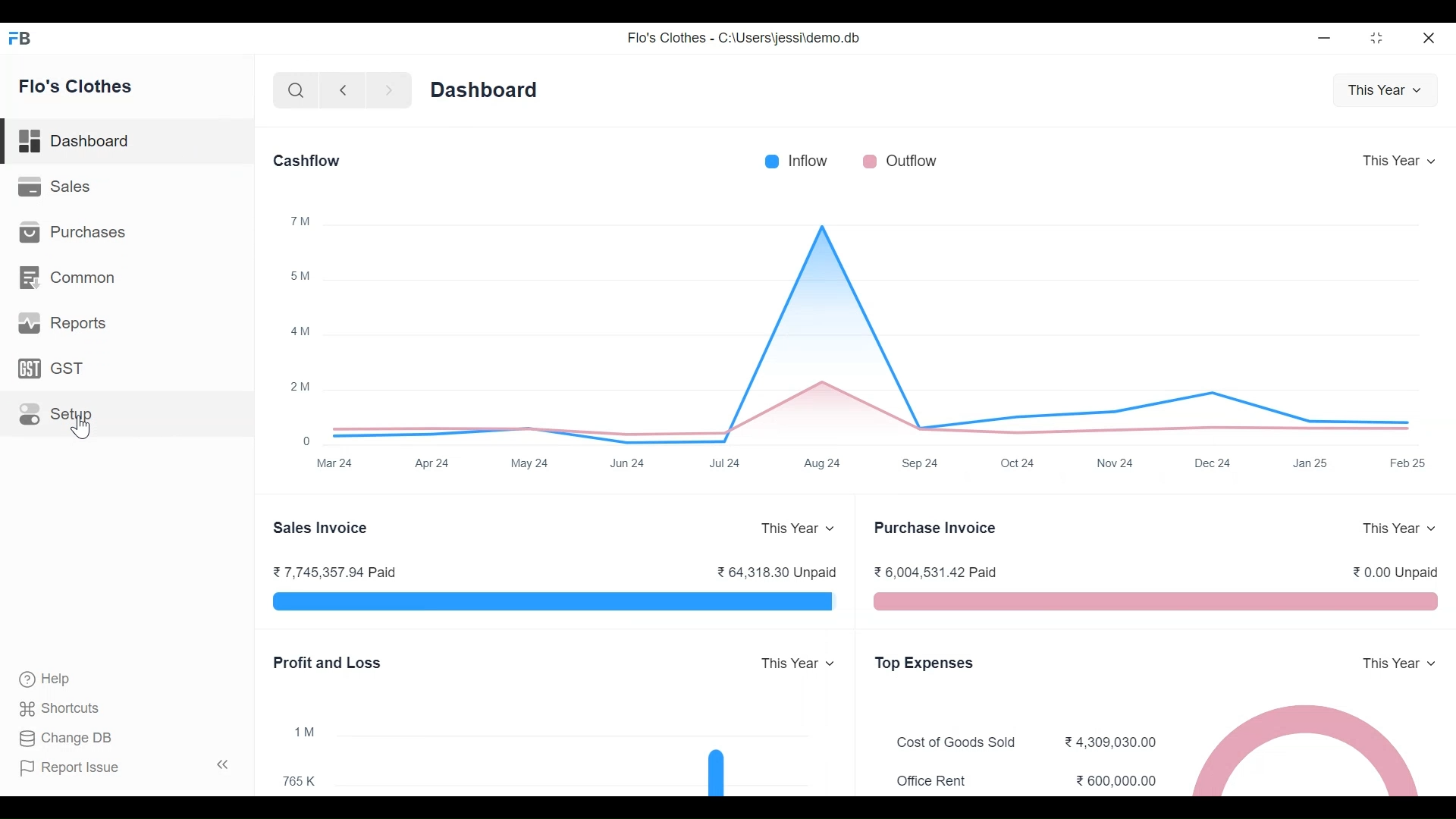  Describe the element at coordinates (921, 463) in the screenshot. I see `sep 24` at that location.